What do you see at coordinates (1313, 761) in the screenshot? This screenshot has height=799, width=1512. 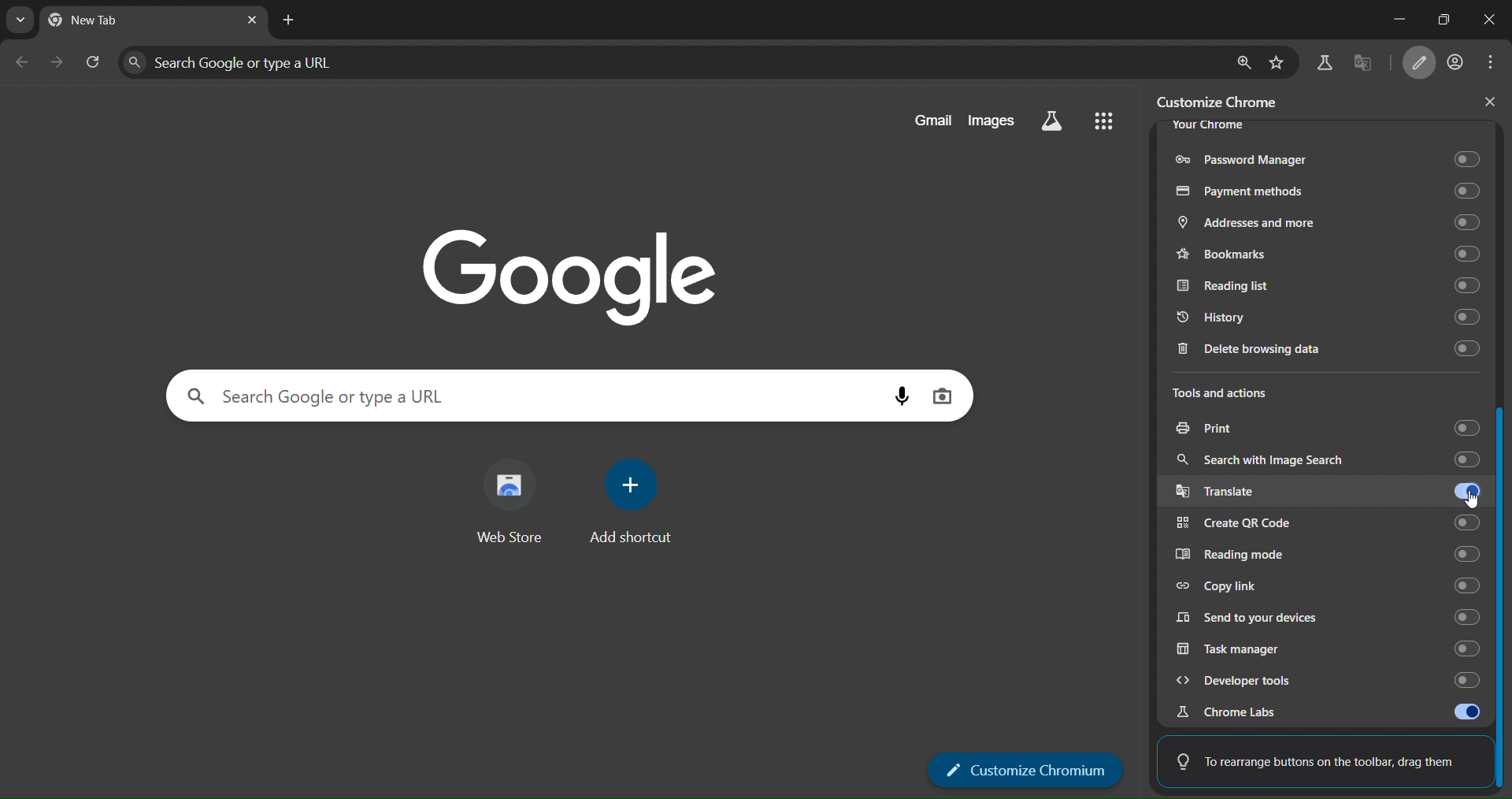 I see `To rearrange buttons on the toolbar, drag them` at bounding box center [1313, 761].